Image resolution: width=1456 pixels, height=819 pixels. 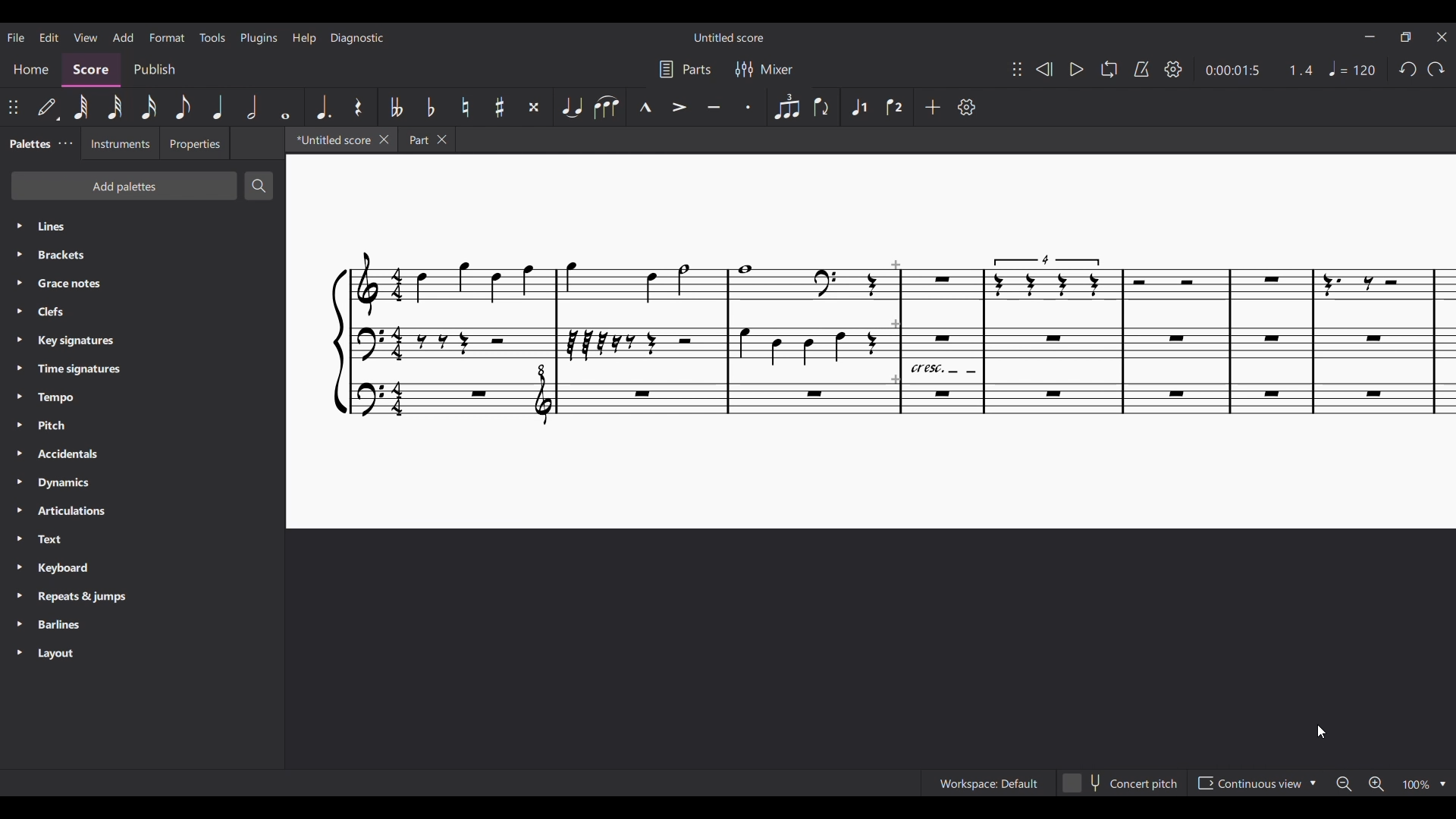 What do you see at coordinates (115, 106) in the screenshot?
I see `32nd note` at bounding box center [115, 106].